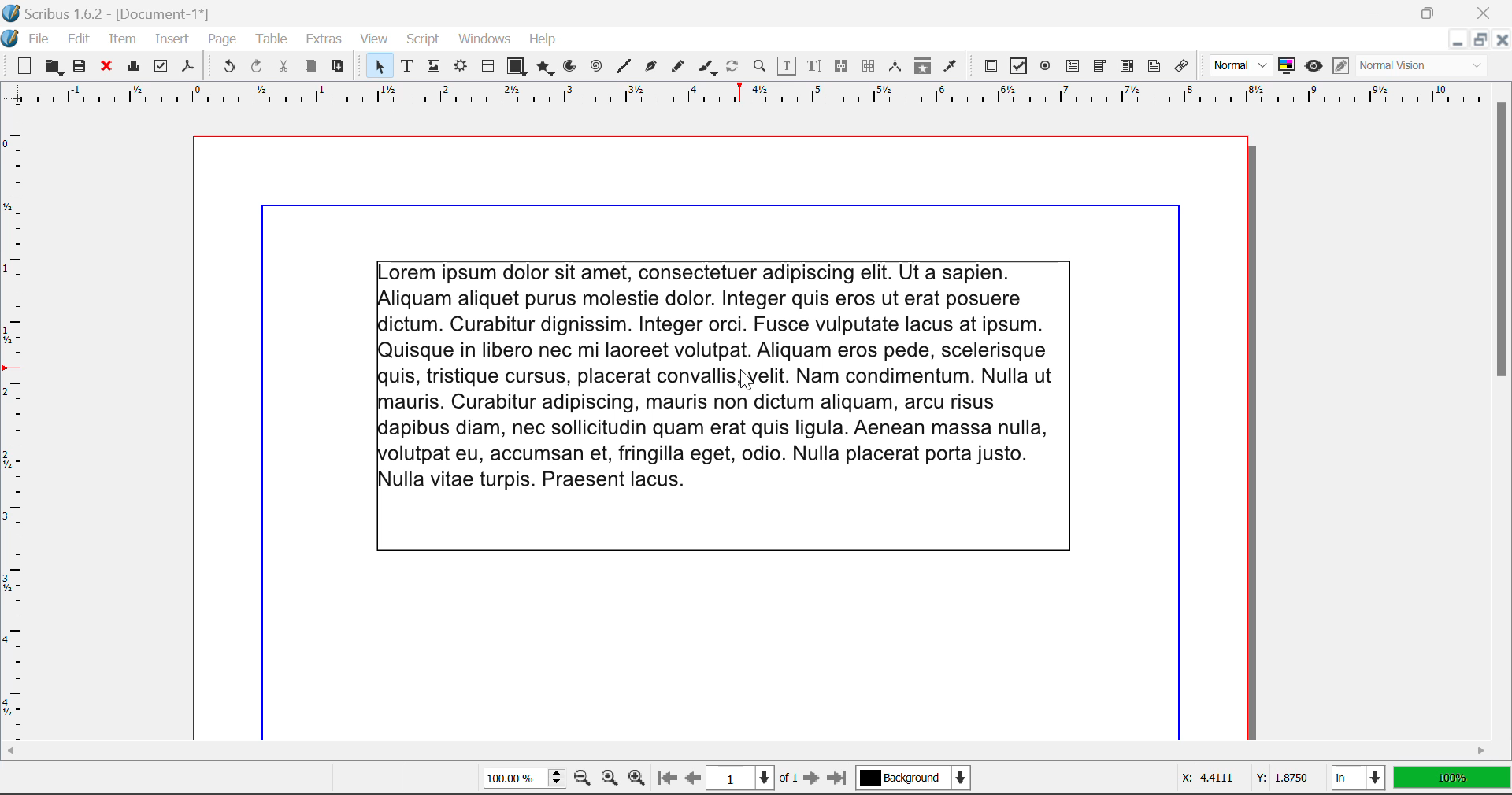  Describe the element at coordinates (228, 68) in the screenshot. I see `Undo` at that location.